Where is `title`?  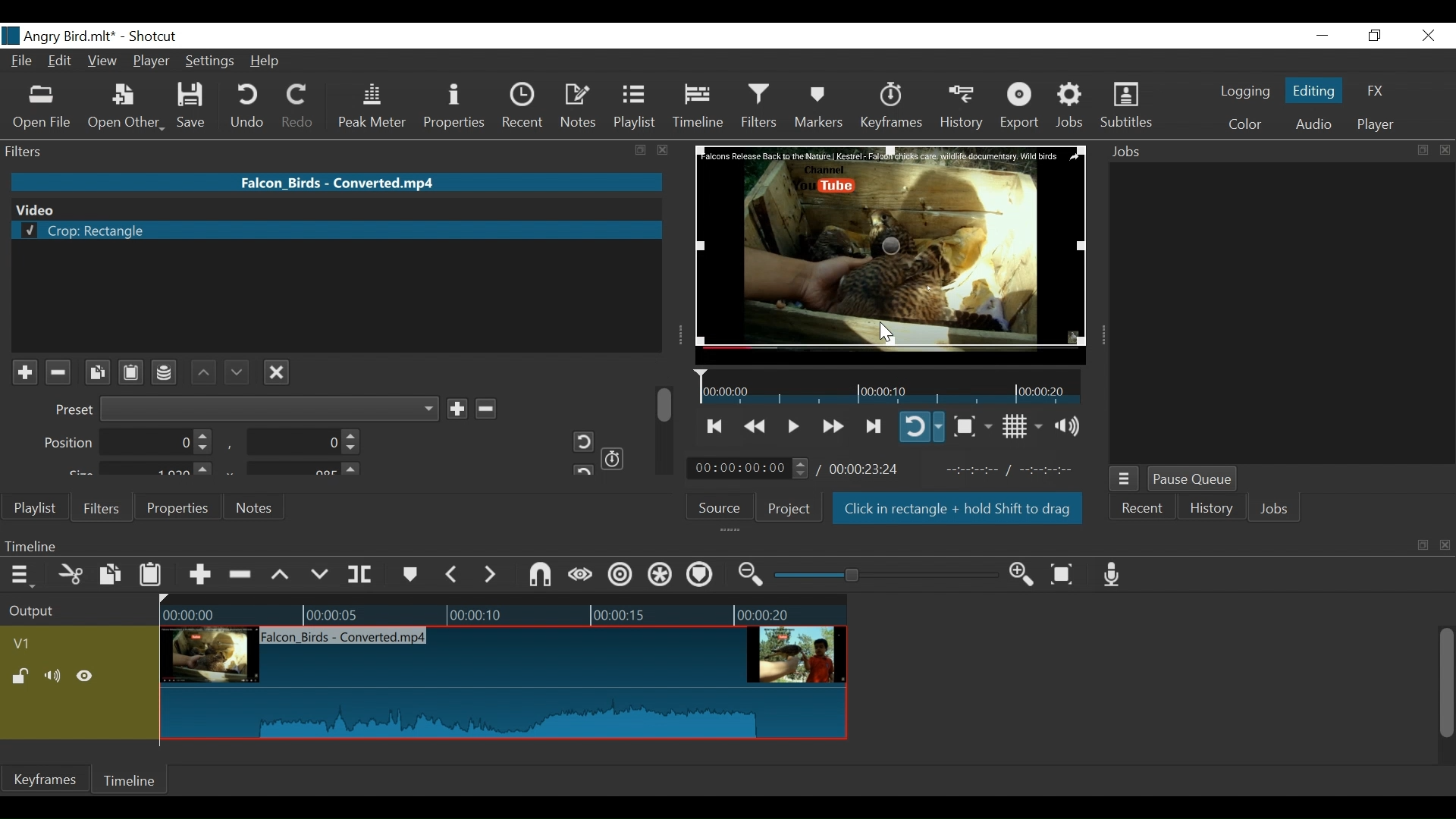
title is located at coordinates (112, 35).